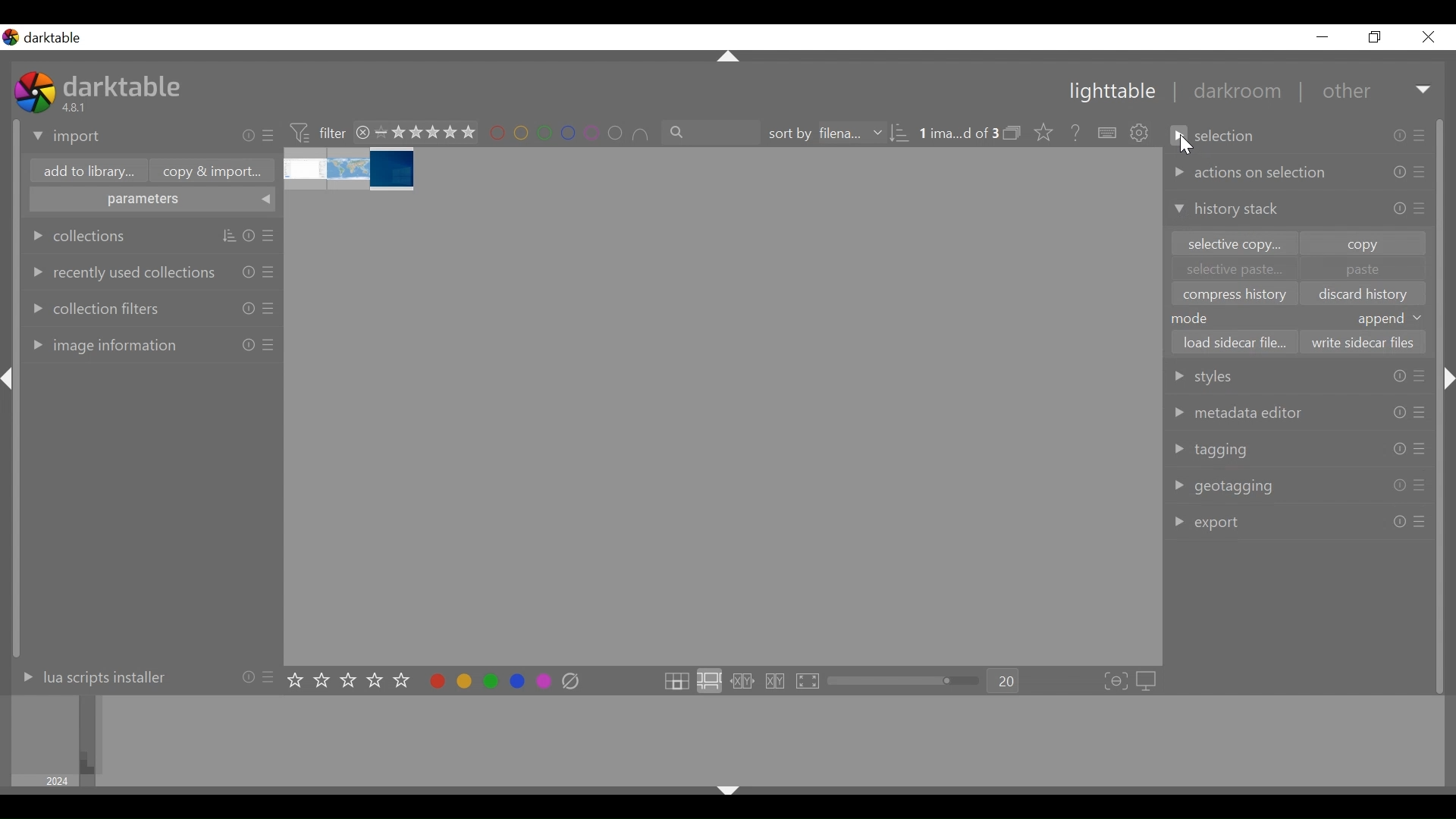  Describe the element at coordinates (208, 171) in the screenshot. I see `copy & import` at that location.